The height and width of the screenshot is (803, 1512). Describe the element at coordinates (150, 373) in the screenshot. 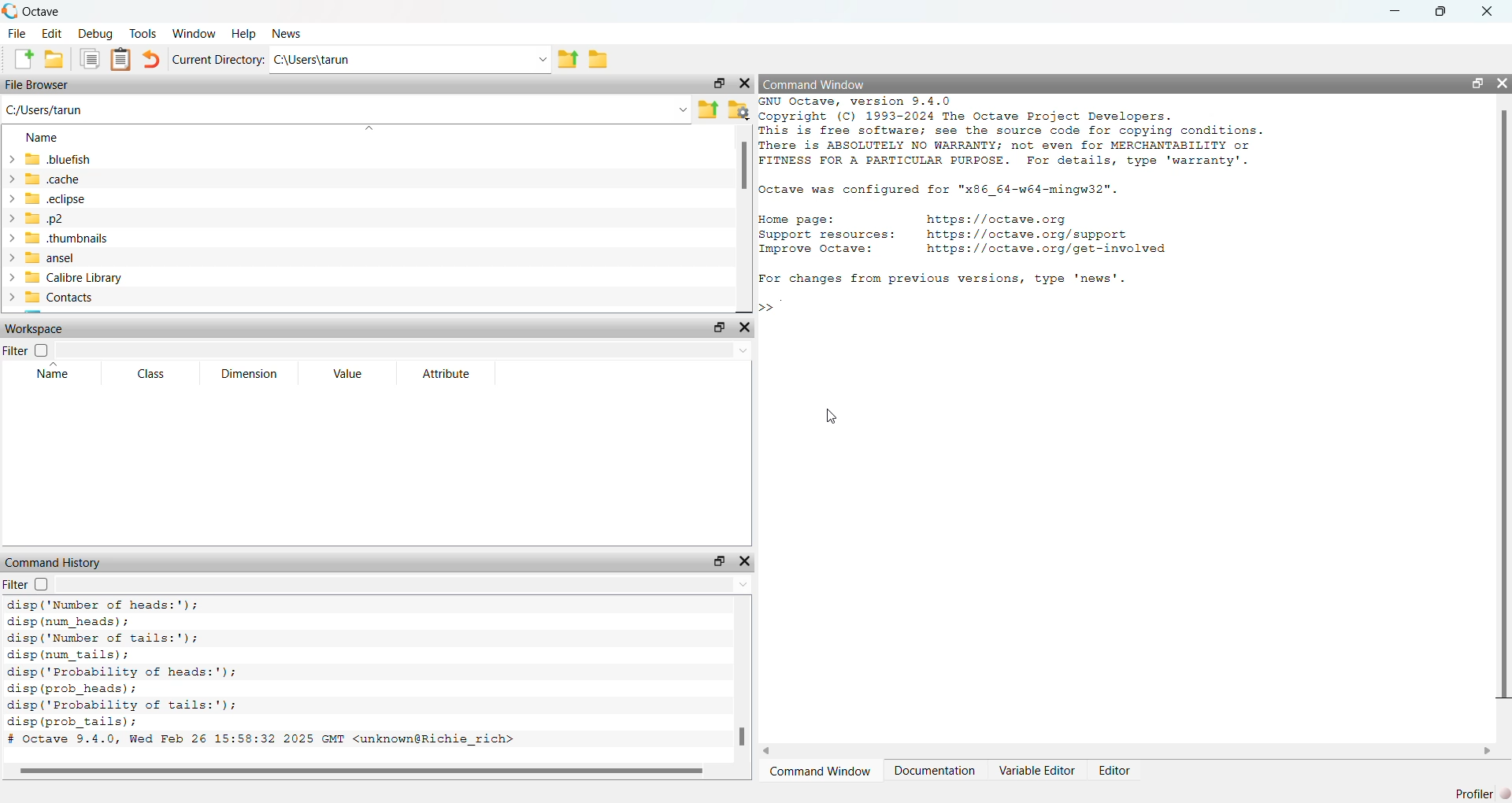

I see `Class` at that location.